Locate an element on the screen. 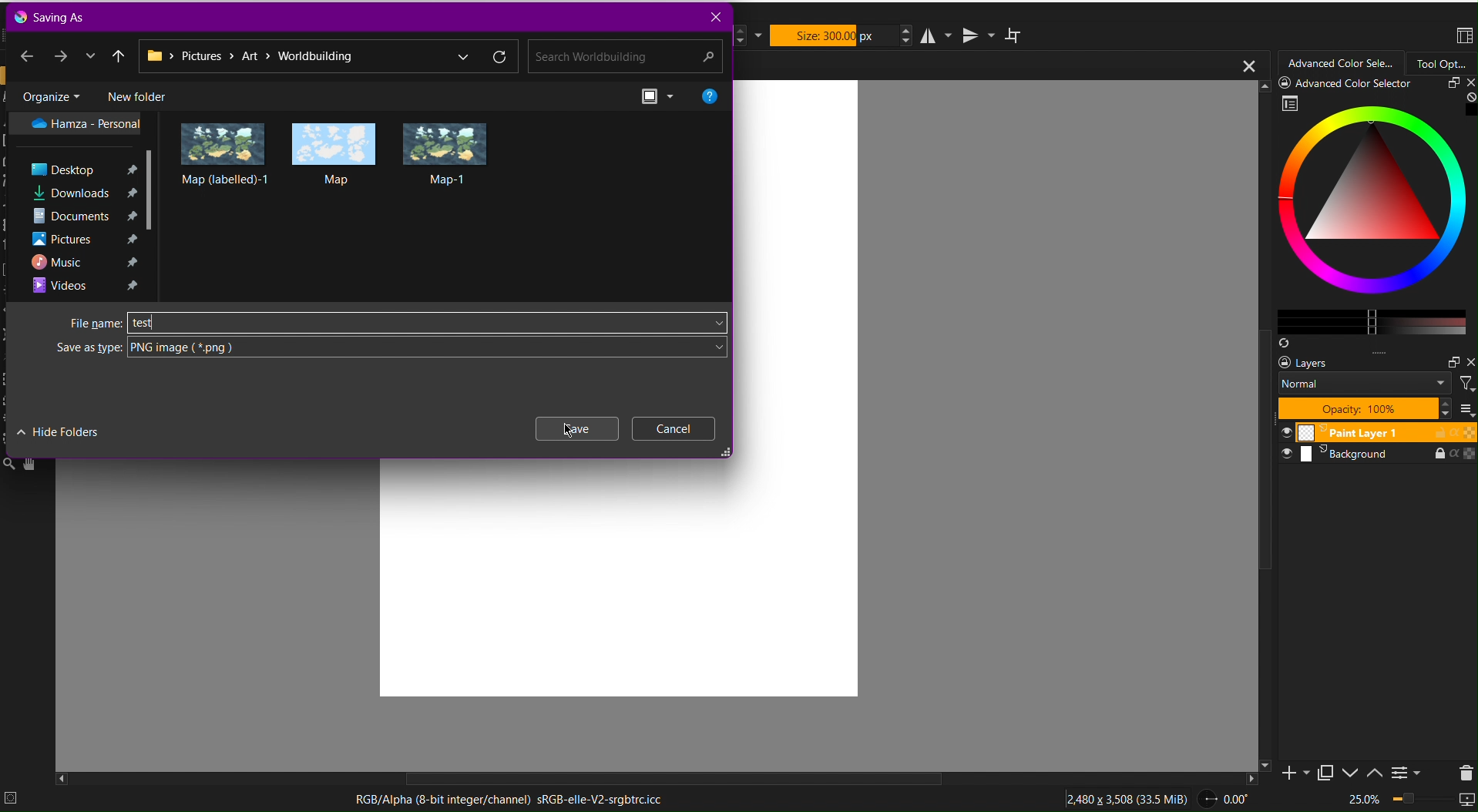 Image resolution: width=1478 pixels, height=812 pixels. Test is located at coordinates (144, 323).